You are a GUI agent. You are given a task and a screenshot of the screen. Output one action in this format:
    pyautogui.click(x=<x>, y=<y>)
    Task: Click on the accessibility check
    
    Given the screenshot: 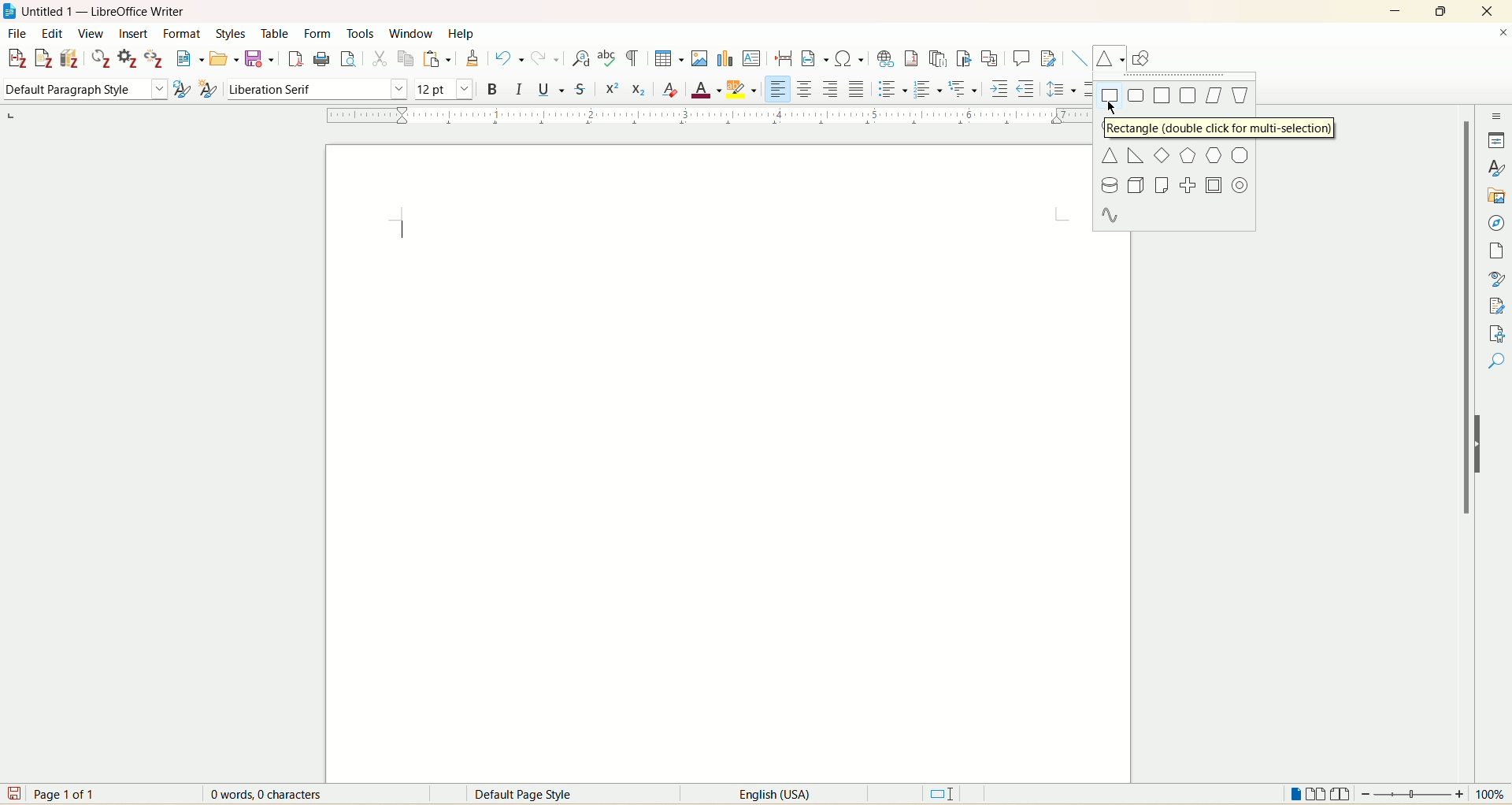 What is the action you would take?
    pyautogui.click(x=1497, y=333)
    